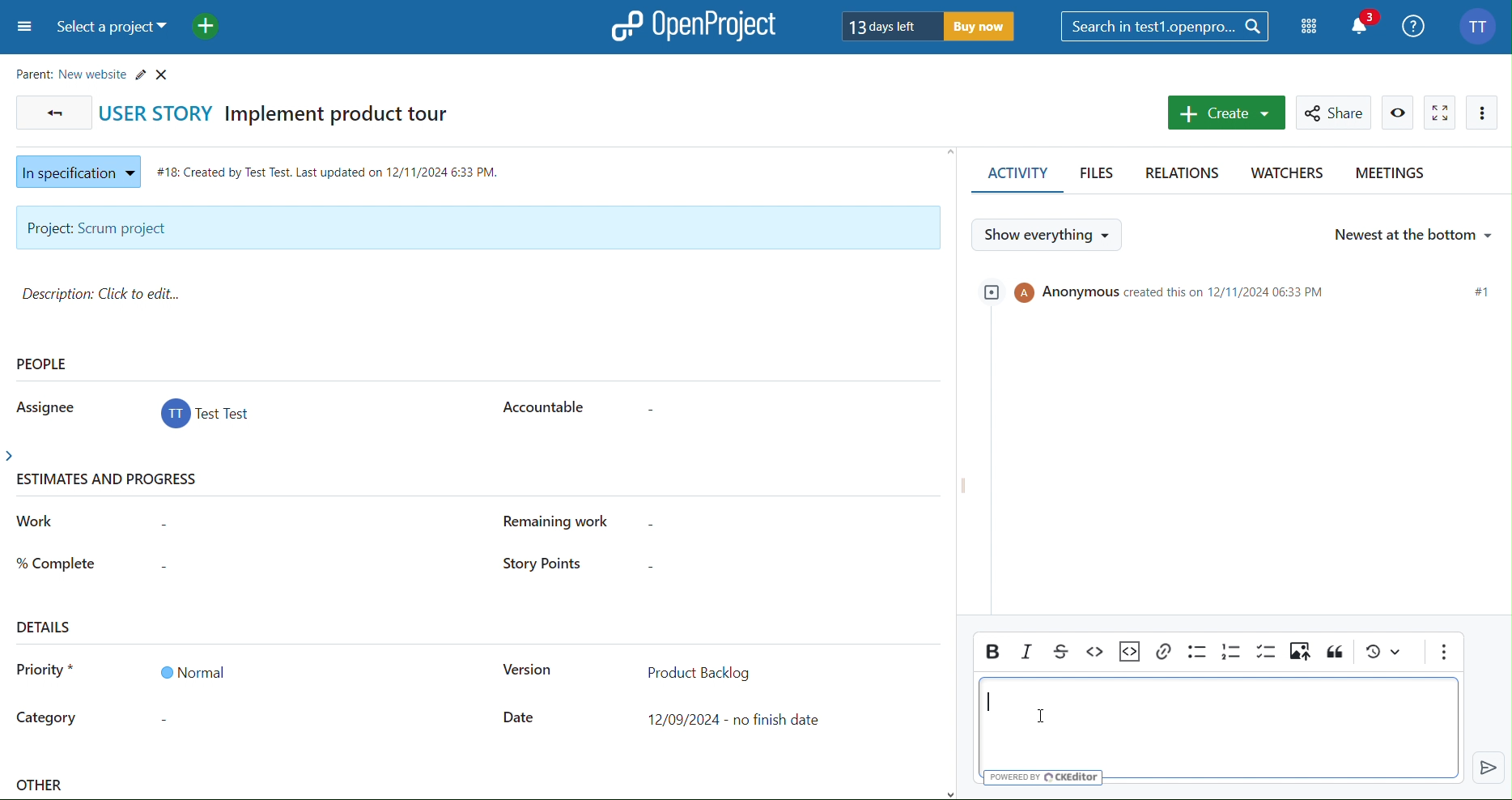  Describe the element at coordinates (1100, 176) in the screenshot. I see `Files` at that location.